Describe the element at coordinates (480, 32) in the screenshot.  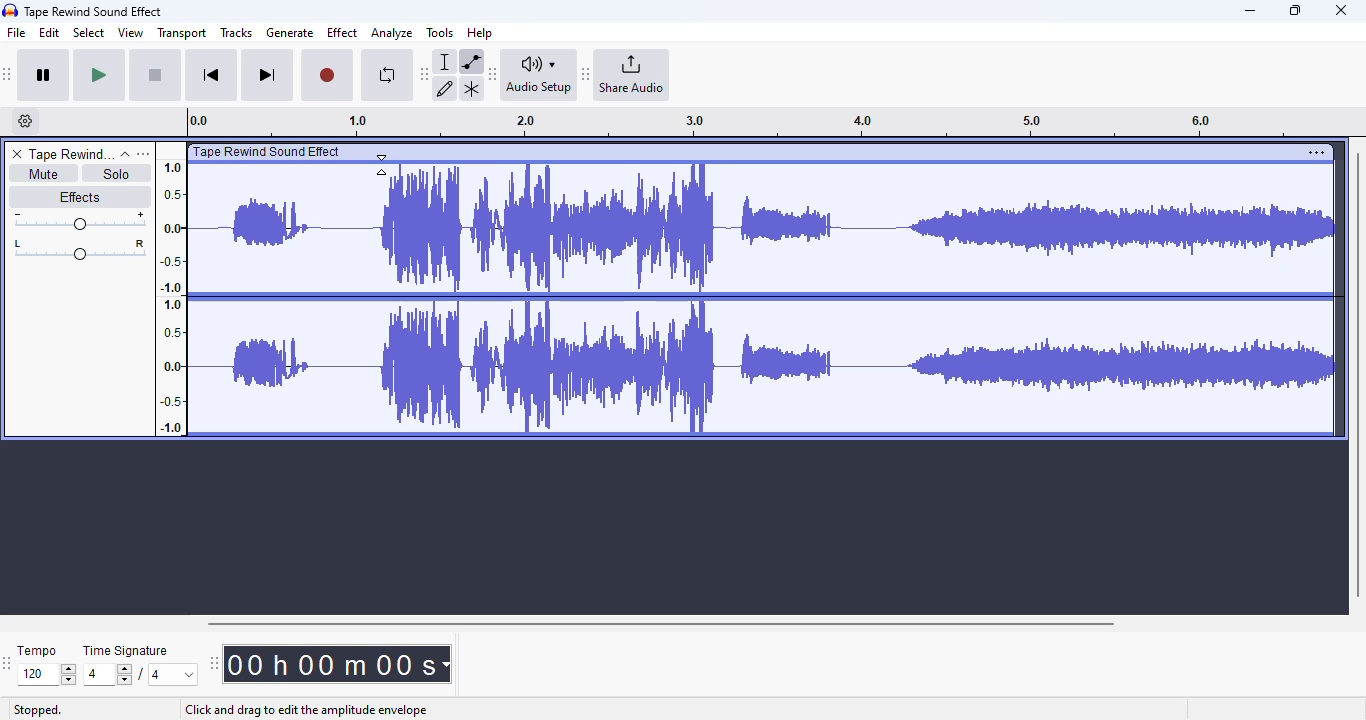
I see `help` at that location.